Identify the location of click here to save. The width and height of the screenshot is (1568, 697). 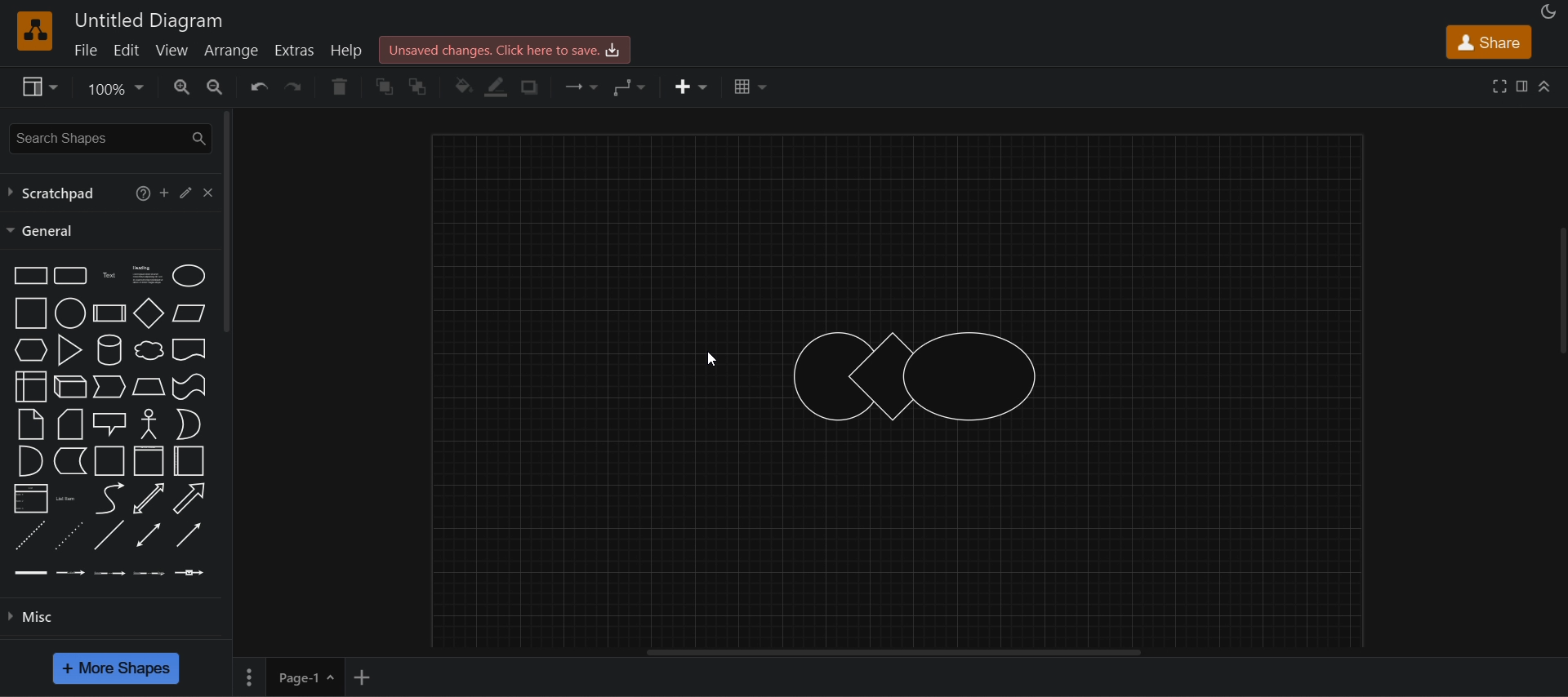
(503, 49).